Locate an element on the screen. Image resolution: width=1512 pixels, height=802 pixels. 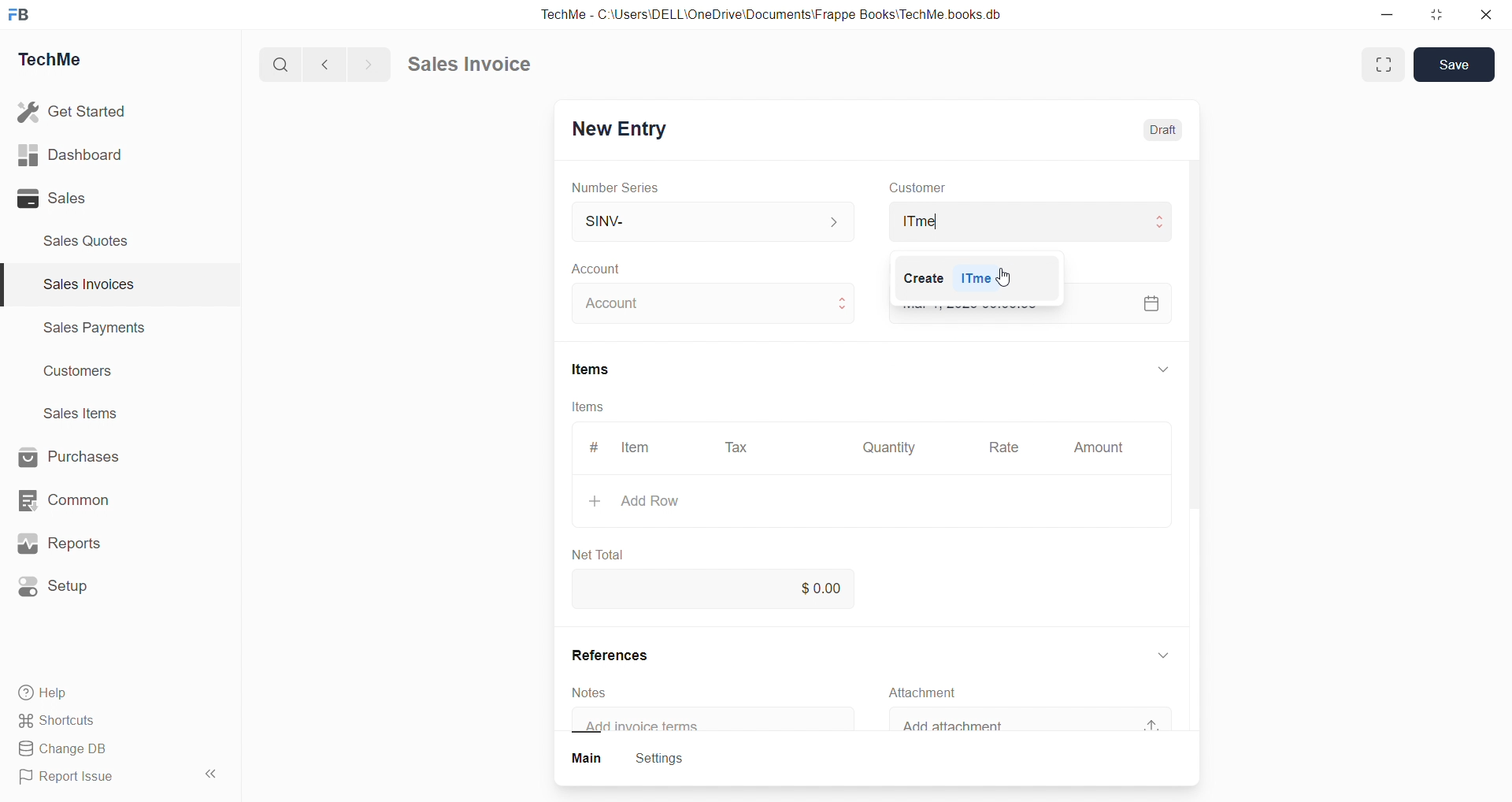
Rate is located at coordinates (1007, 449).